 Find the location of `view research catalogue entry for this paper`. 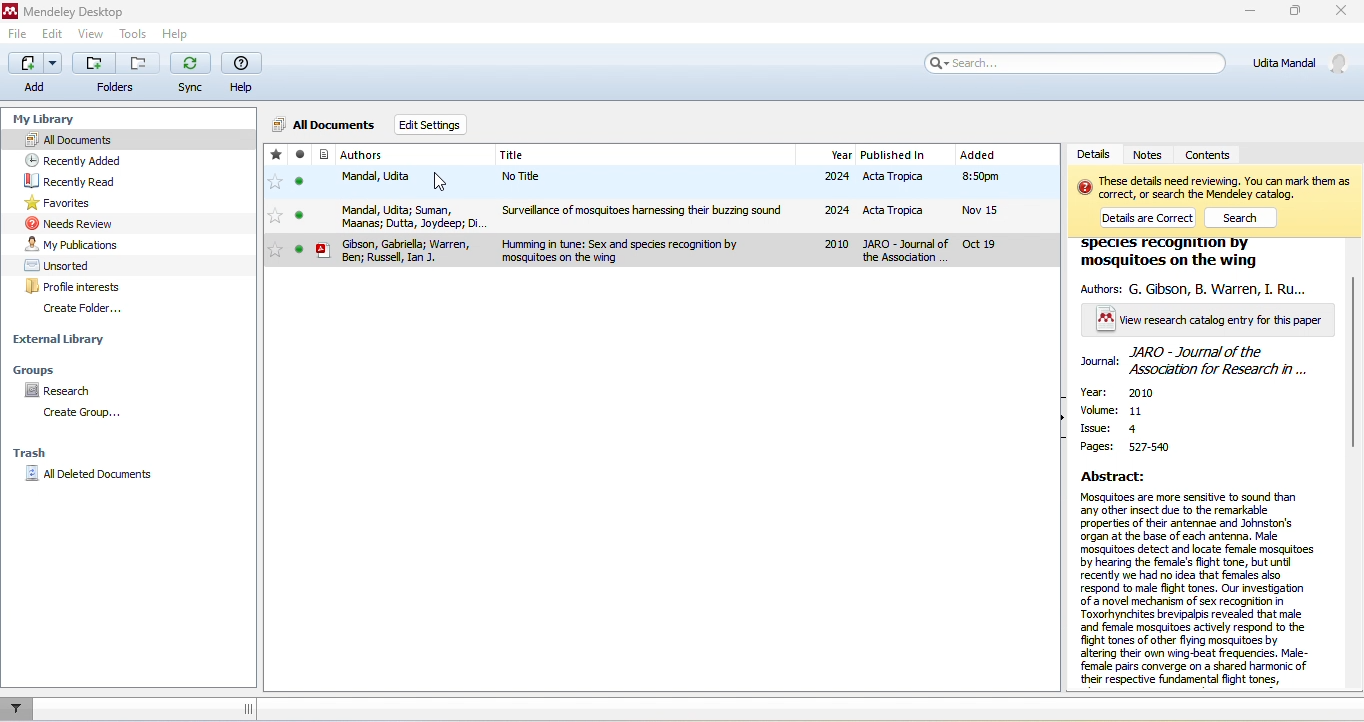

view research catalogue entry for this paper is located at coordinates (1208, 322).